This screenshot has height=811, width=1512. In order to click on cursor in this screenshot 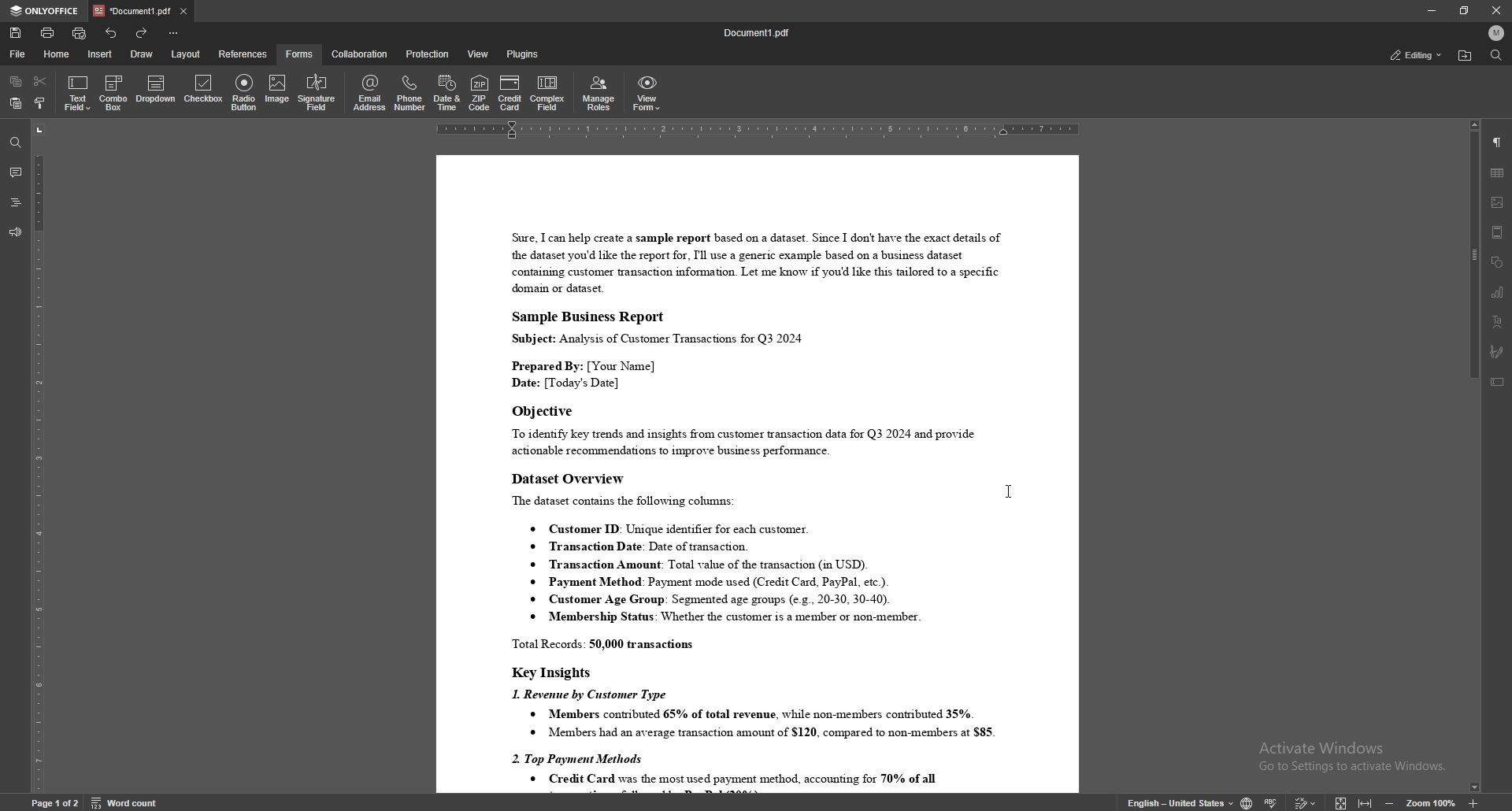, I will do `click(1006, 492)`.